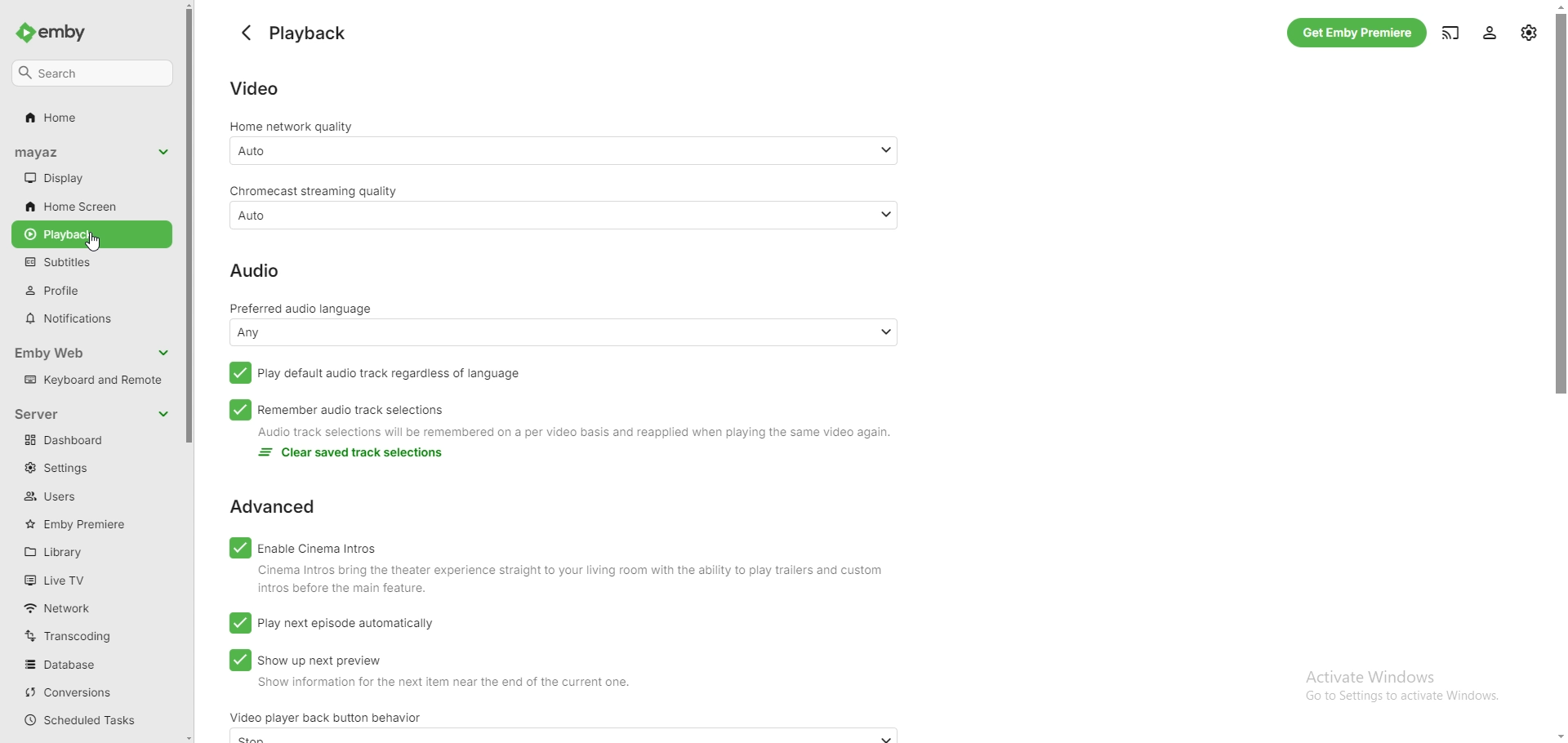 This screenshot has height=743, width=1568. What do you see at coordinates (337, 410) in the screenshot?
I see `remember audio track selections` at bounding box center [337, 410].